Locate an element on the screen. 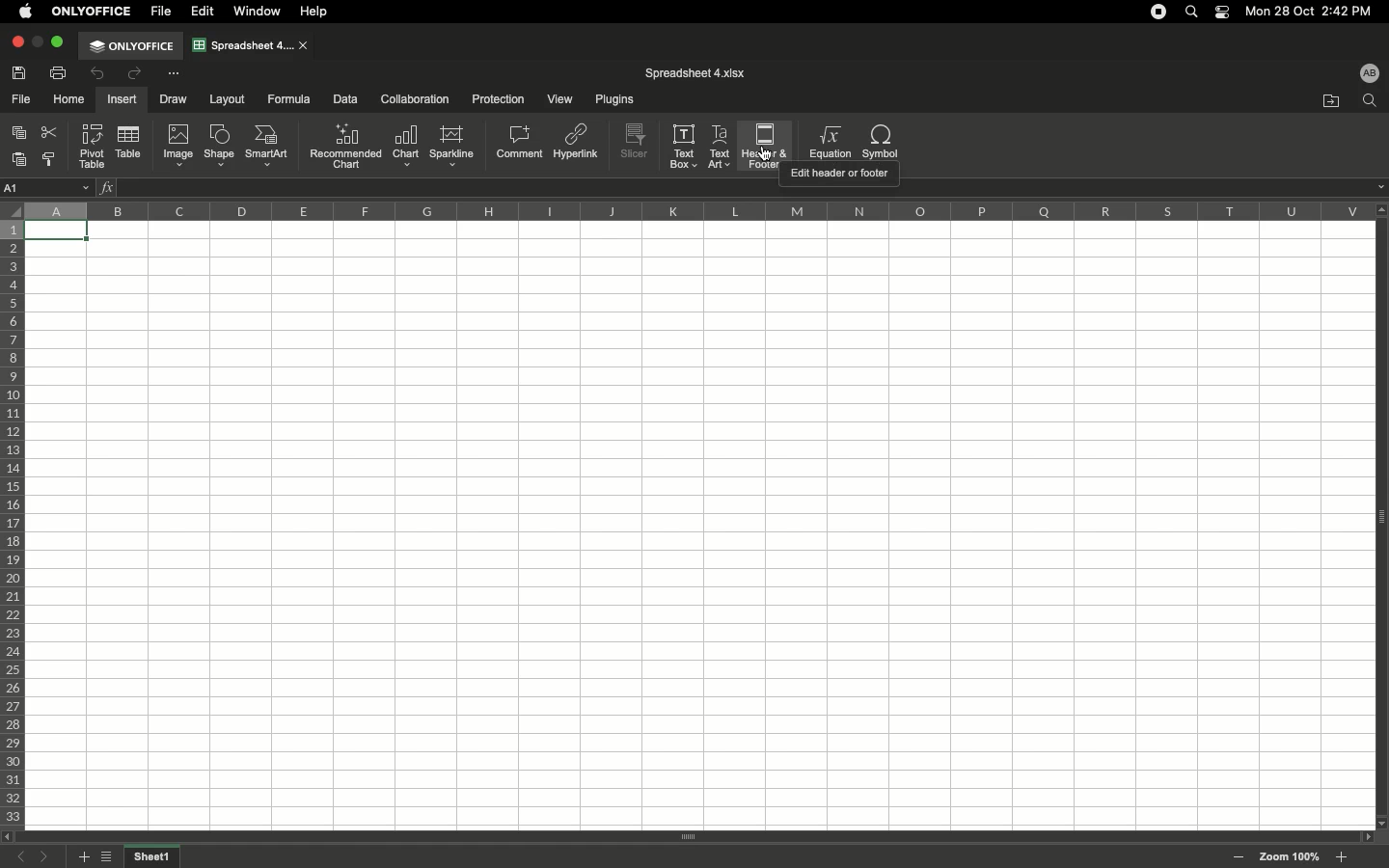 The height and width of the screenshot is (868, 1389). File name is located at coordinates (695, 73).